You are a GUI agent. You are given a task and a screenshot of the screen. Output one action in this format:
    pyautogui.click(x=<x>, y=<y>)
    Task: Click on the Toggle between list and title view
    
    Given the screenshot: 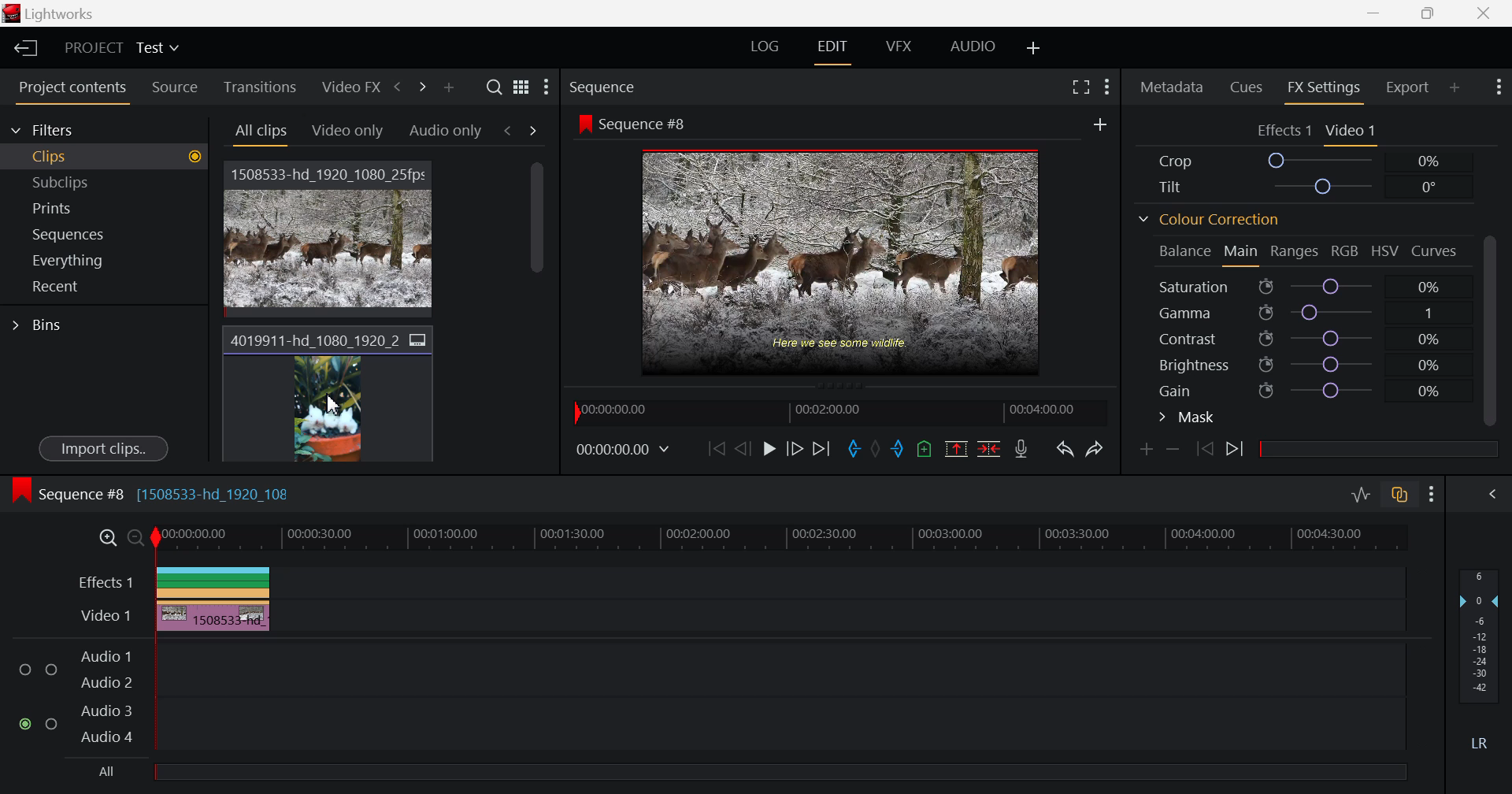 What is the action you would take?
    pyautogui.click(x=521, y=87)
    